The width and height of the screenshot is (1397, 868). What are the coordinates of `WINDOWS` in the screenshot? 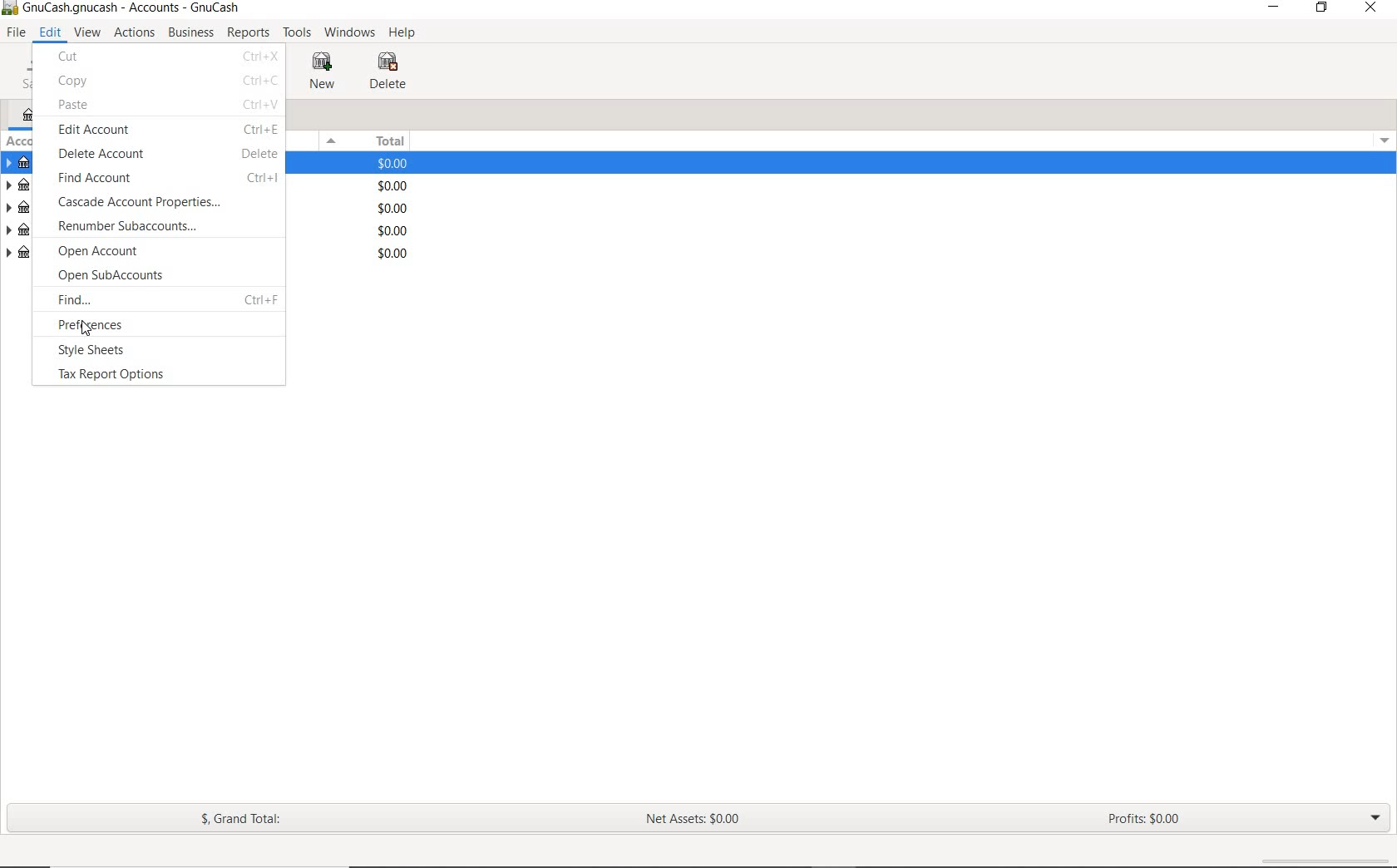 It's located at (353, 32).